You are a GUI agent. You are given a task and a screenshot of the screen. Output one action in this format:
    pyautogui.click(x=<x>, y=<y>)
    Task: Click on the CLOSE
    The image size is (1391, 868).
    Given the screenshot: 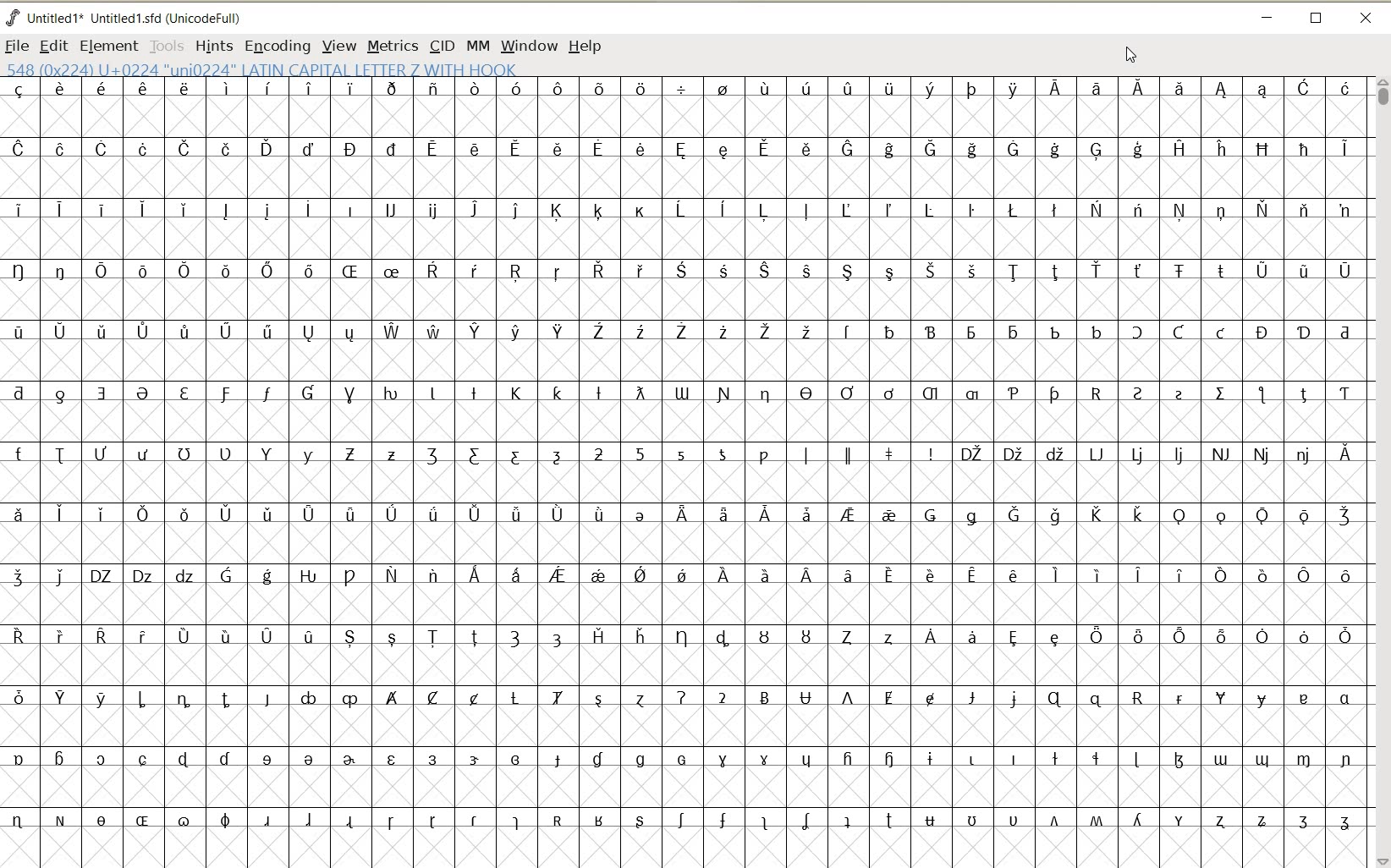 What is the action you would take?
    pyautogui.click(x=1367, y=19)
    